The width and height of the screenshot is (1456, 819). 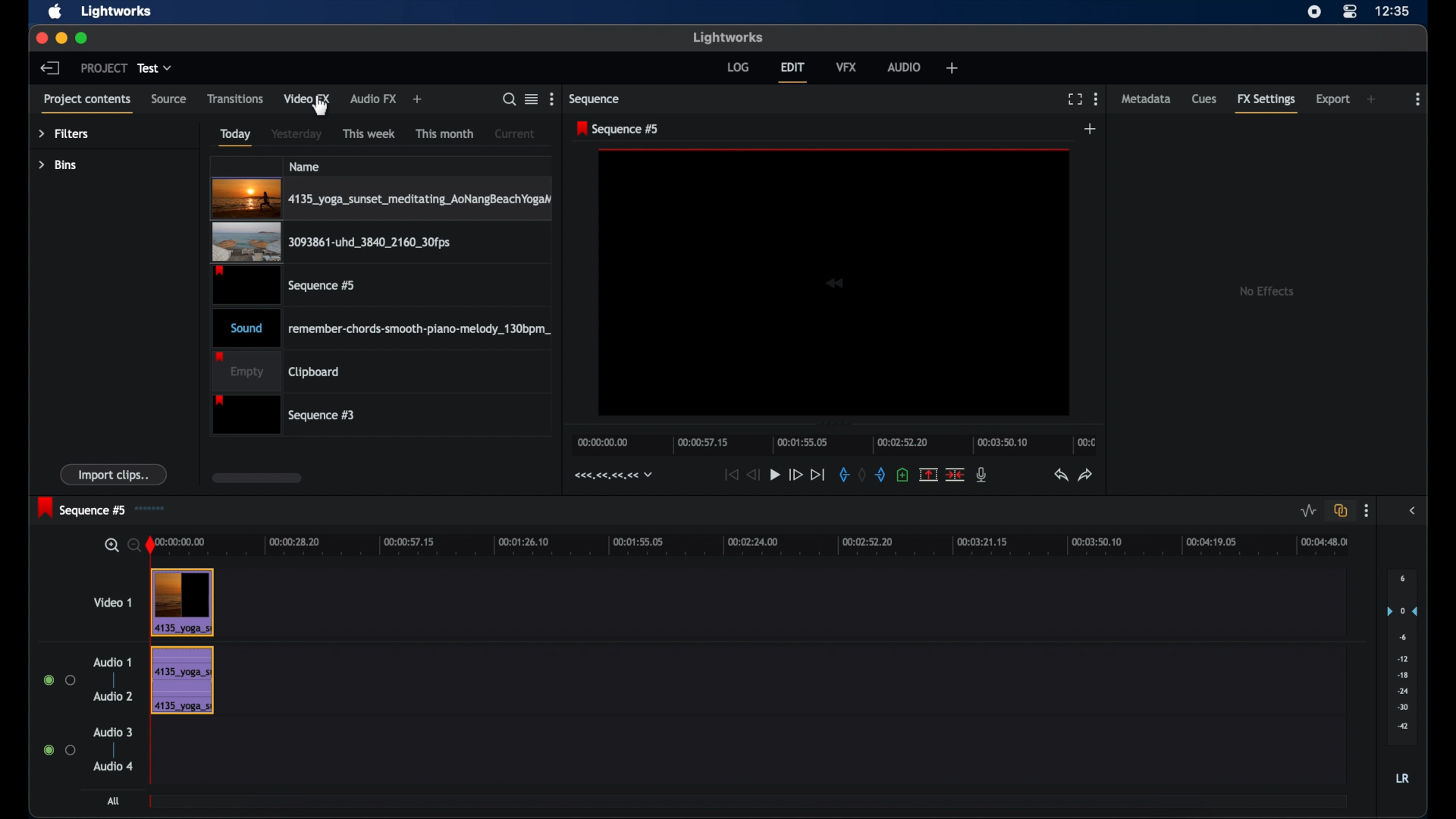 I want to click on more options, so click(x=551, y=98).